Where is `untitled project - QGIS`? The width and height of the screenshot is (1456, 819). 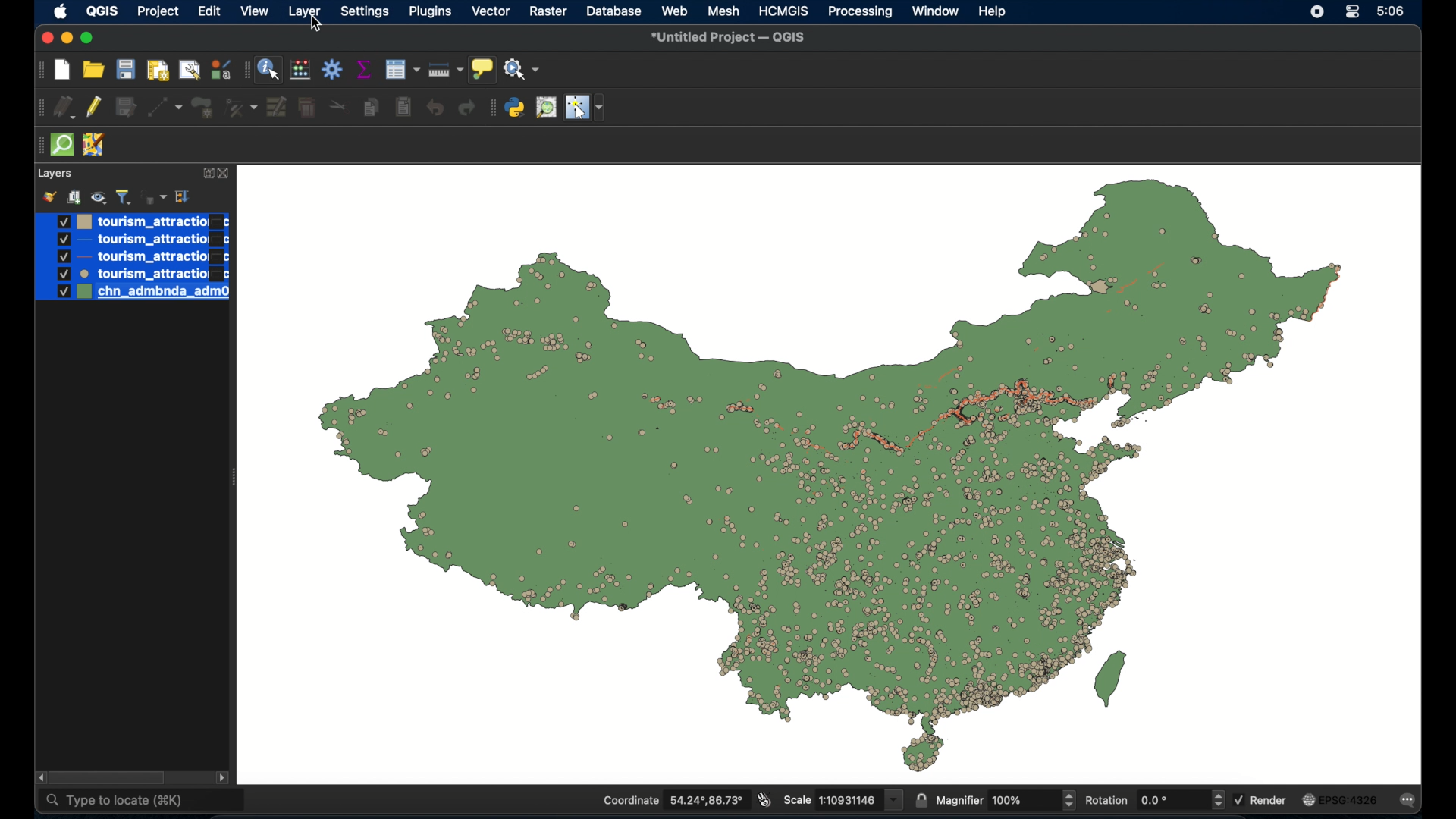
untitled project - QGIS is located at coordinates (729, 37).